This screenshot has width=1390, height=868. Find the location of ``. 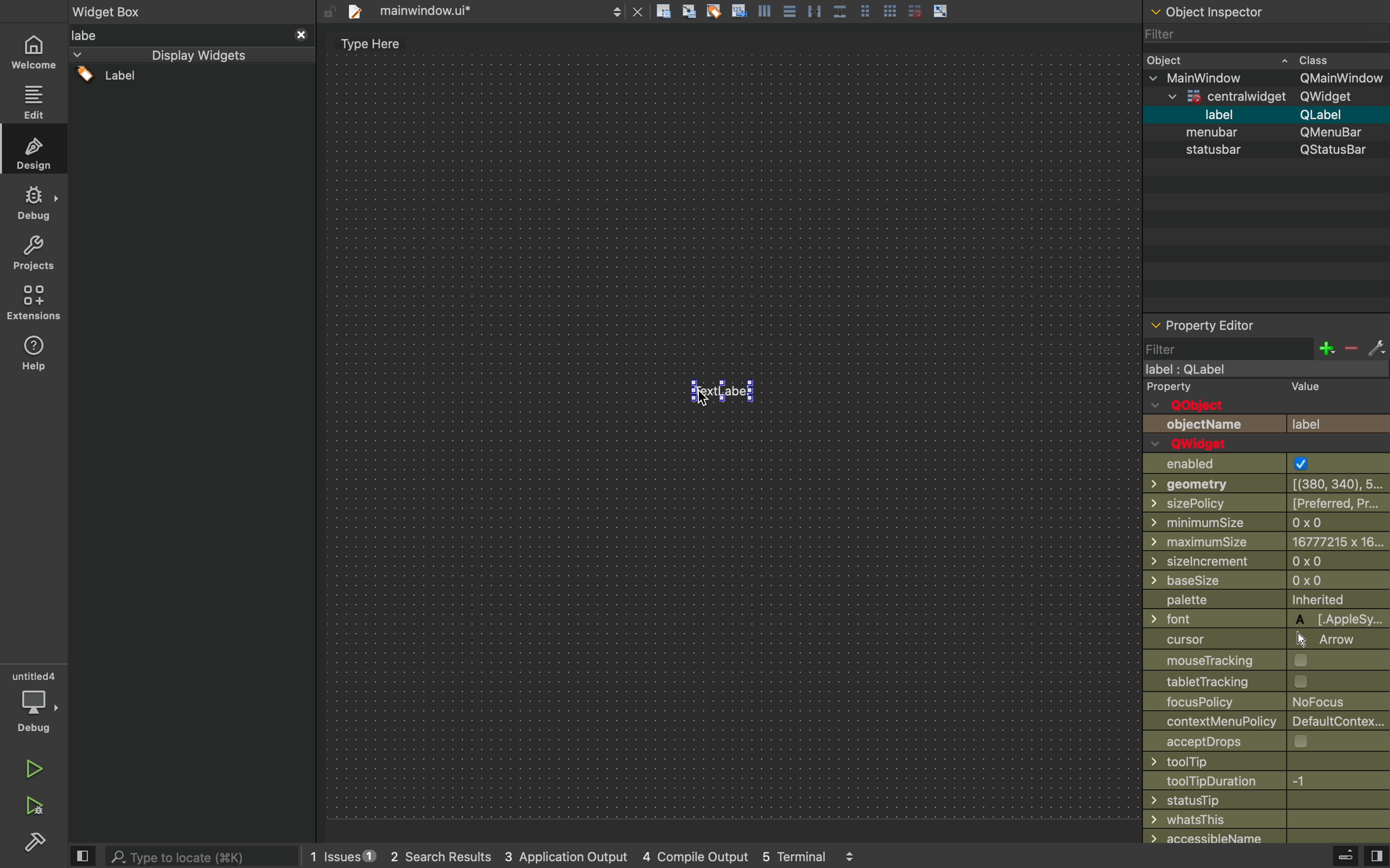

 is located at coordinates (1261, 370).